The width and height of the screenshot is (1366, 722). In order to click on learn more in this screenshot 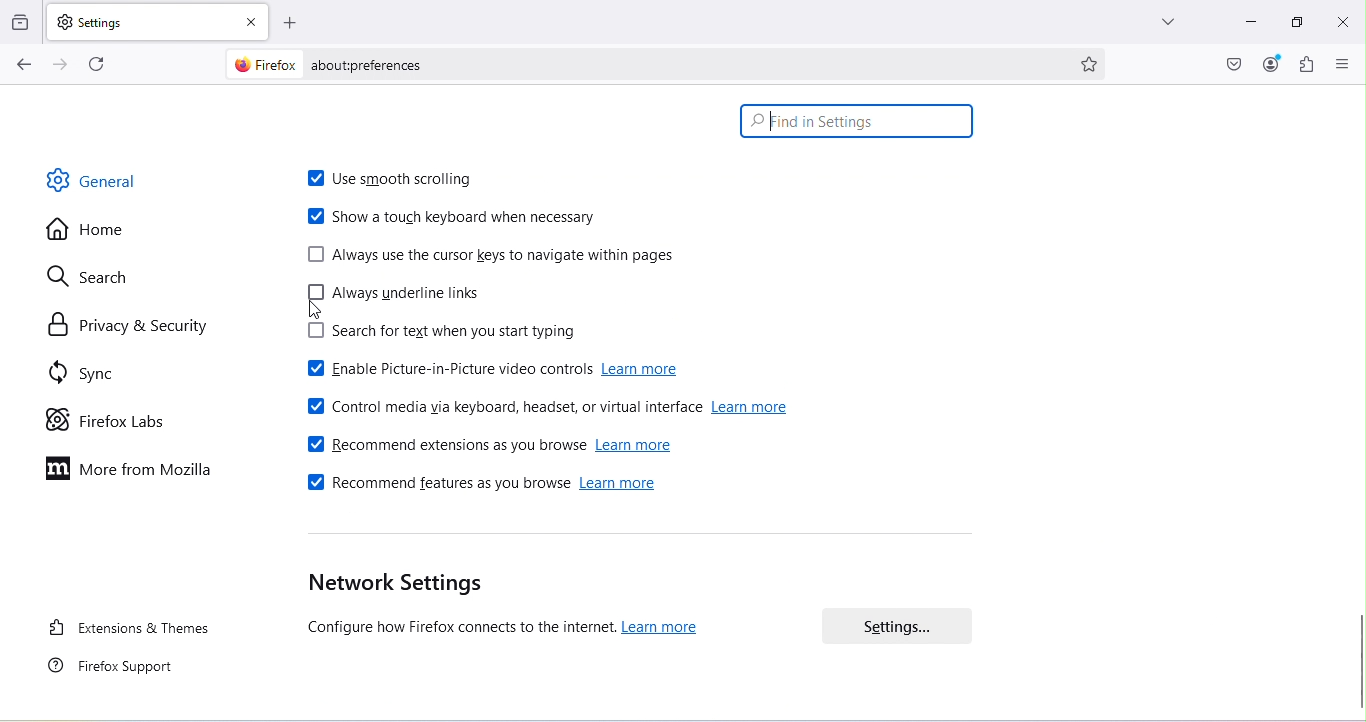, I will do `click(665, 629)`.